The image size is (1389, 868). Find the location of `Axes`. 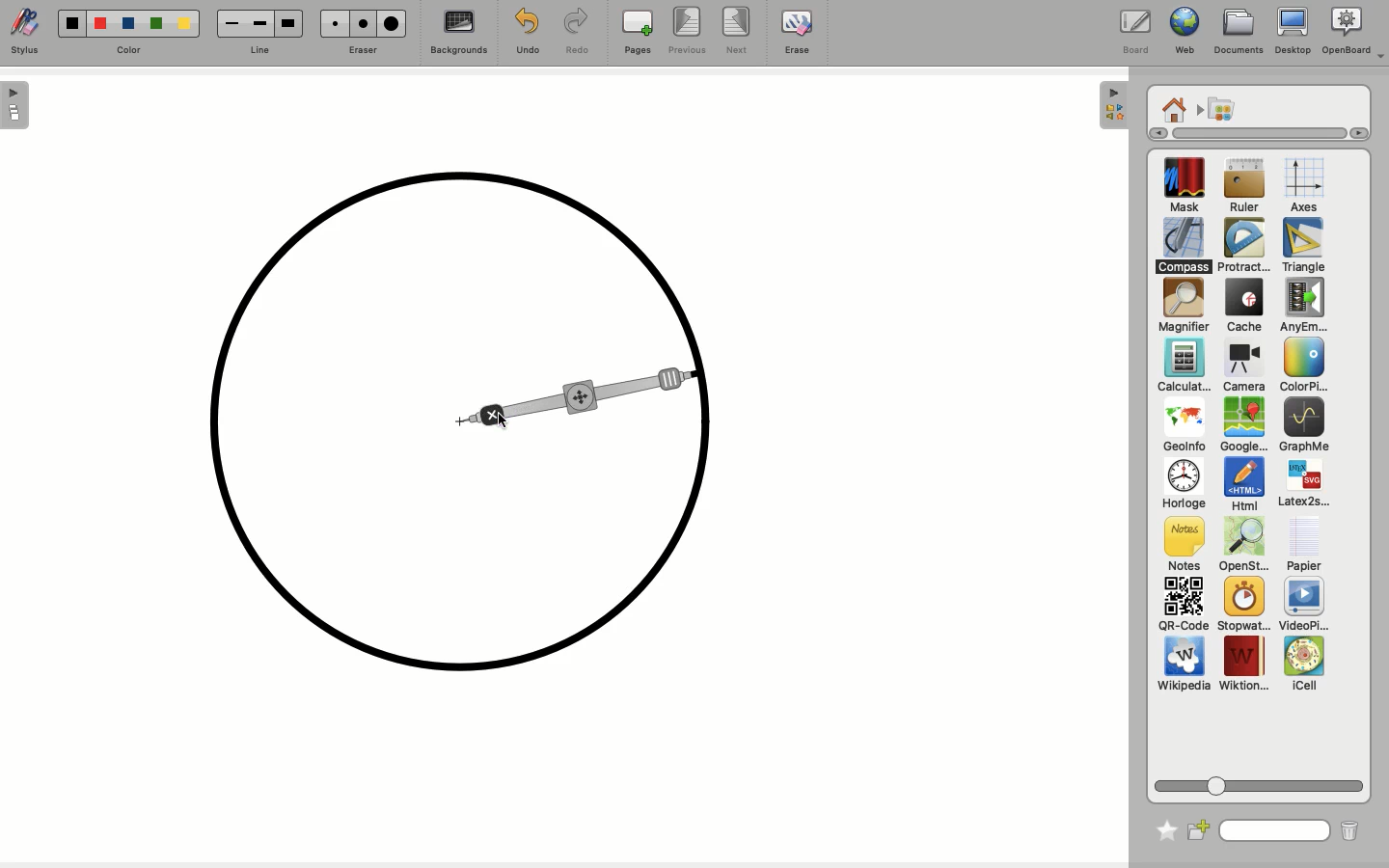

Axes is located at coordinates (1304, 186).